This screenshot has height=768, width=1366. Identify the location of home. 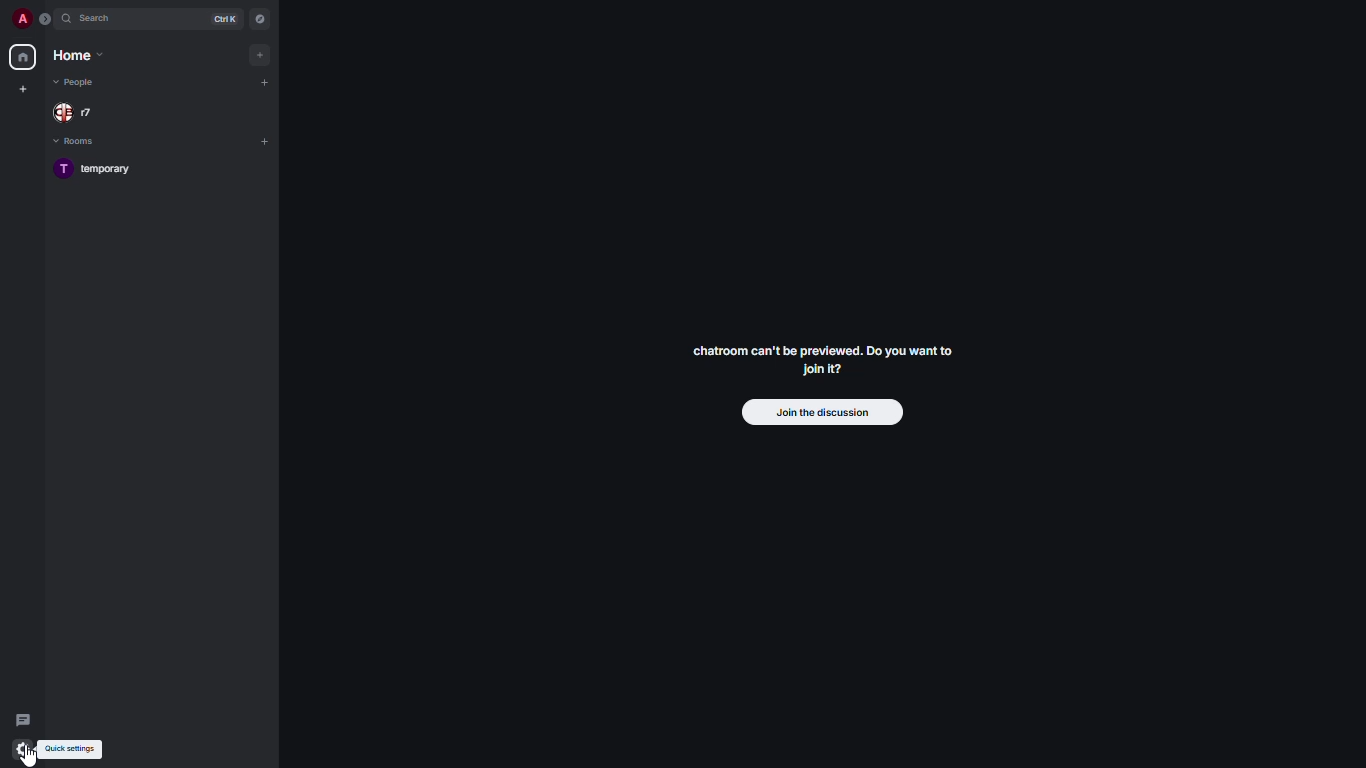
(80, 55).